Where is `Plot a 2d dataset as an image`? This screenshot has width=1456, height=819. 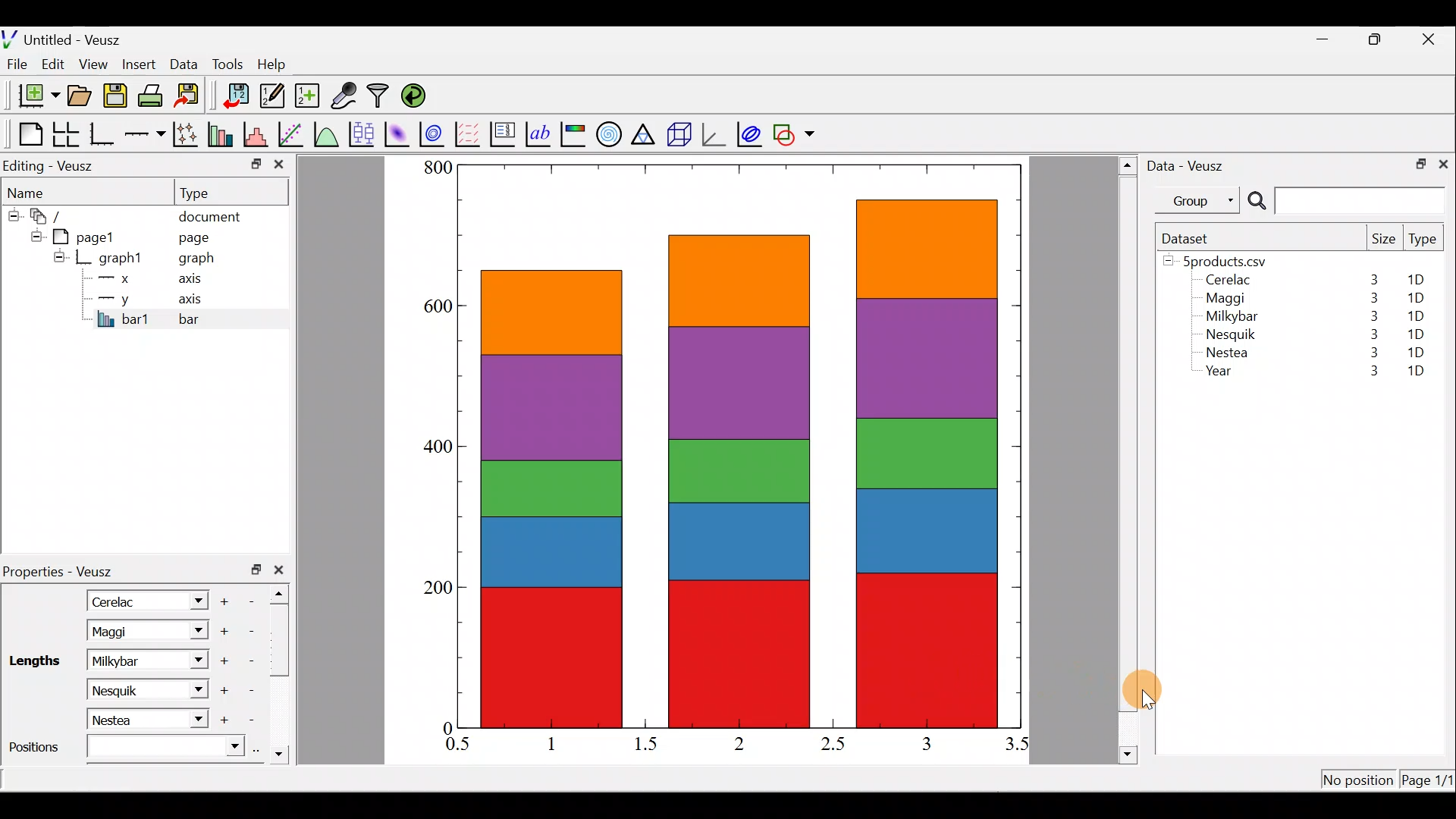 Plot a 2d dataset as an image is located at coordinates (399, 132).